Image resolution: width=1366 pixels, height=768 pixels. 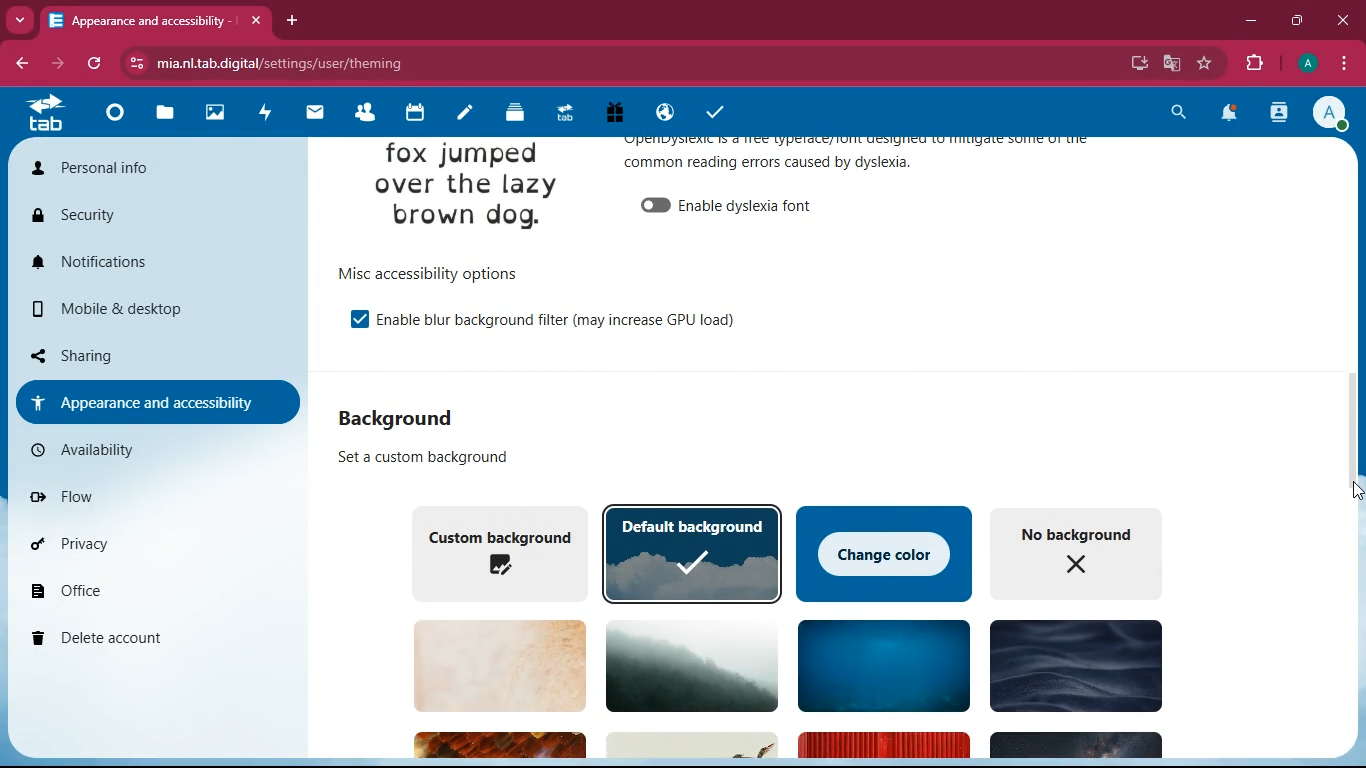 What do you see at coordinates (115, 114) in the screenshot?
I see `home` at bounding box center [115, 114].